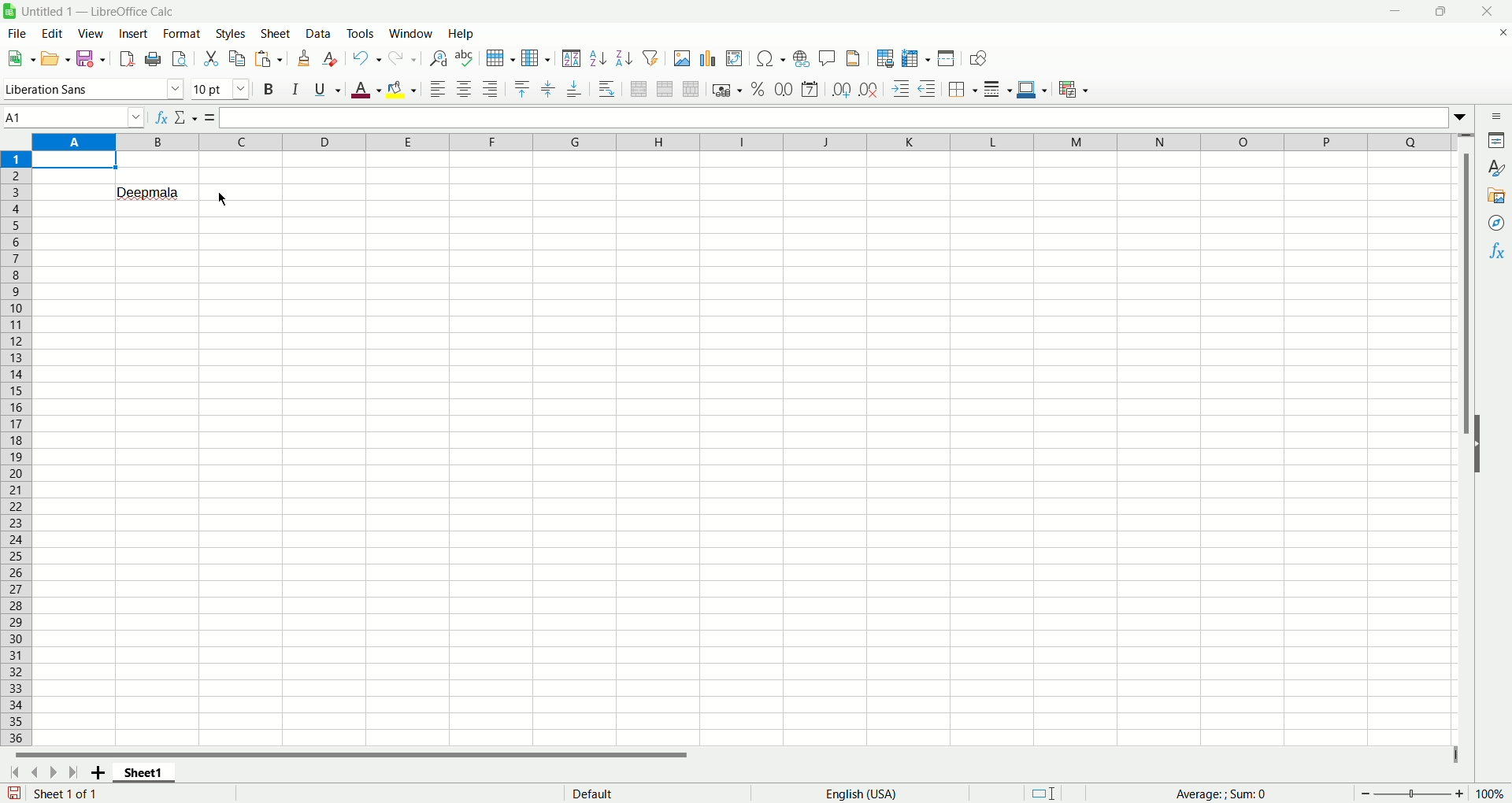 This screenshot has width=1512, height=803. I want to click on goto last sheet, so click(71, 772).